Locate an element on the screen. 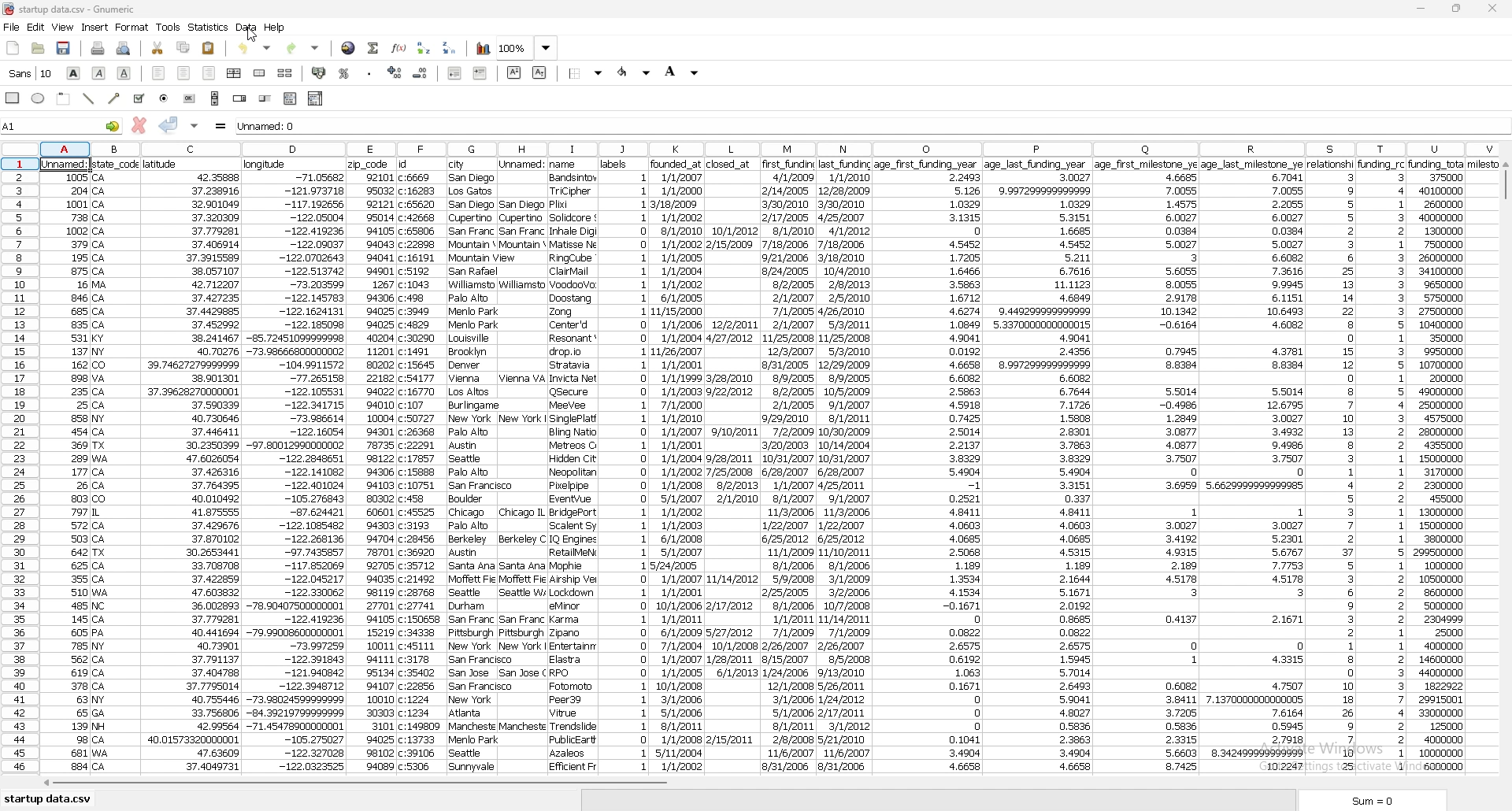 This screenshot has height=811, width=1512. scroll bar is located at coordinates (763, 786).